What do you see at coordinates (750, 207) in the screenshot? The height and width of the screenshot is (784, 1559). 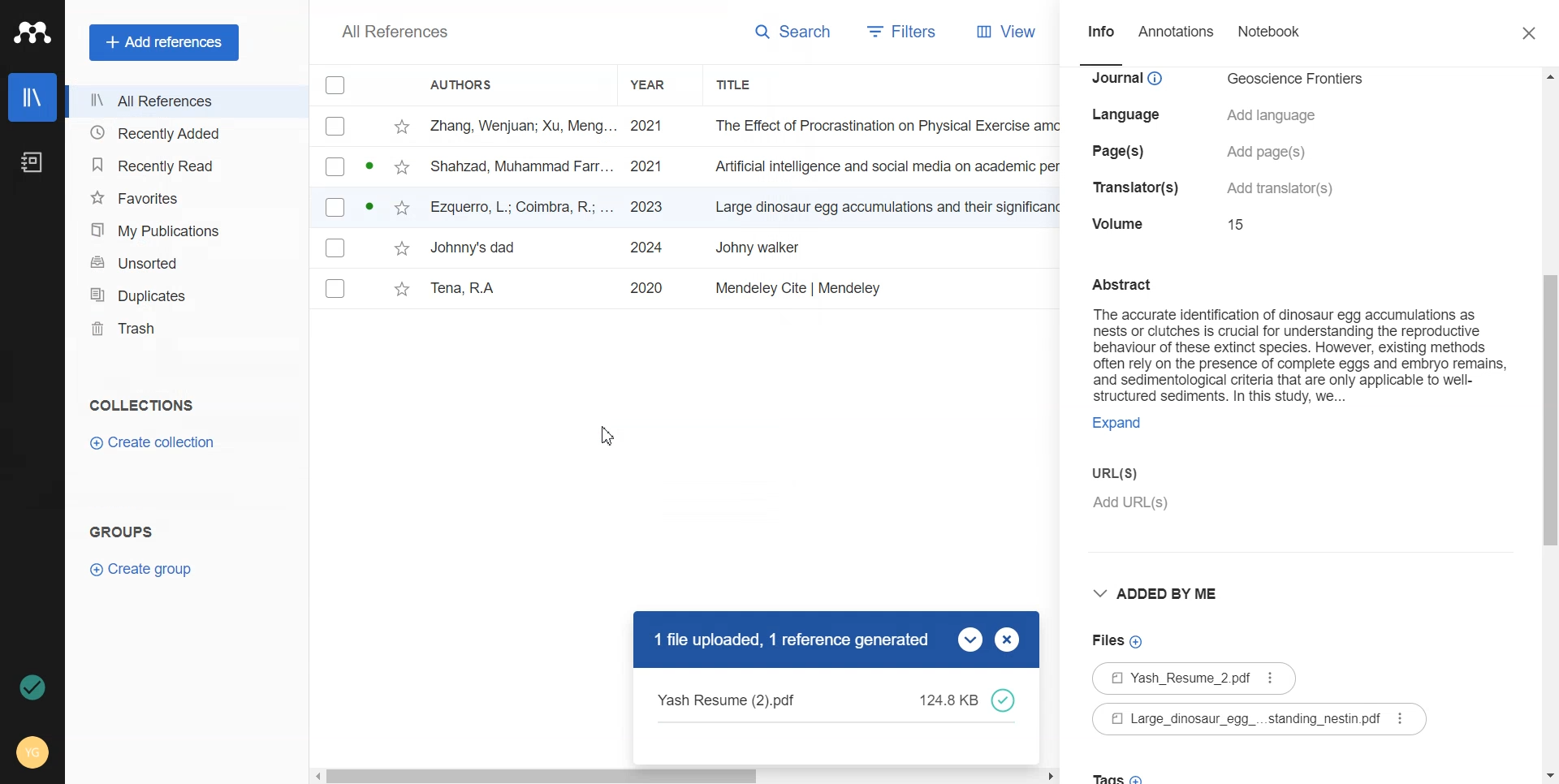 I see `File` at bounding box center [750, 207].